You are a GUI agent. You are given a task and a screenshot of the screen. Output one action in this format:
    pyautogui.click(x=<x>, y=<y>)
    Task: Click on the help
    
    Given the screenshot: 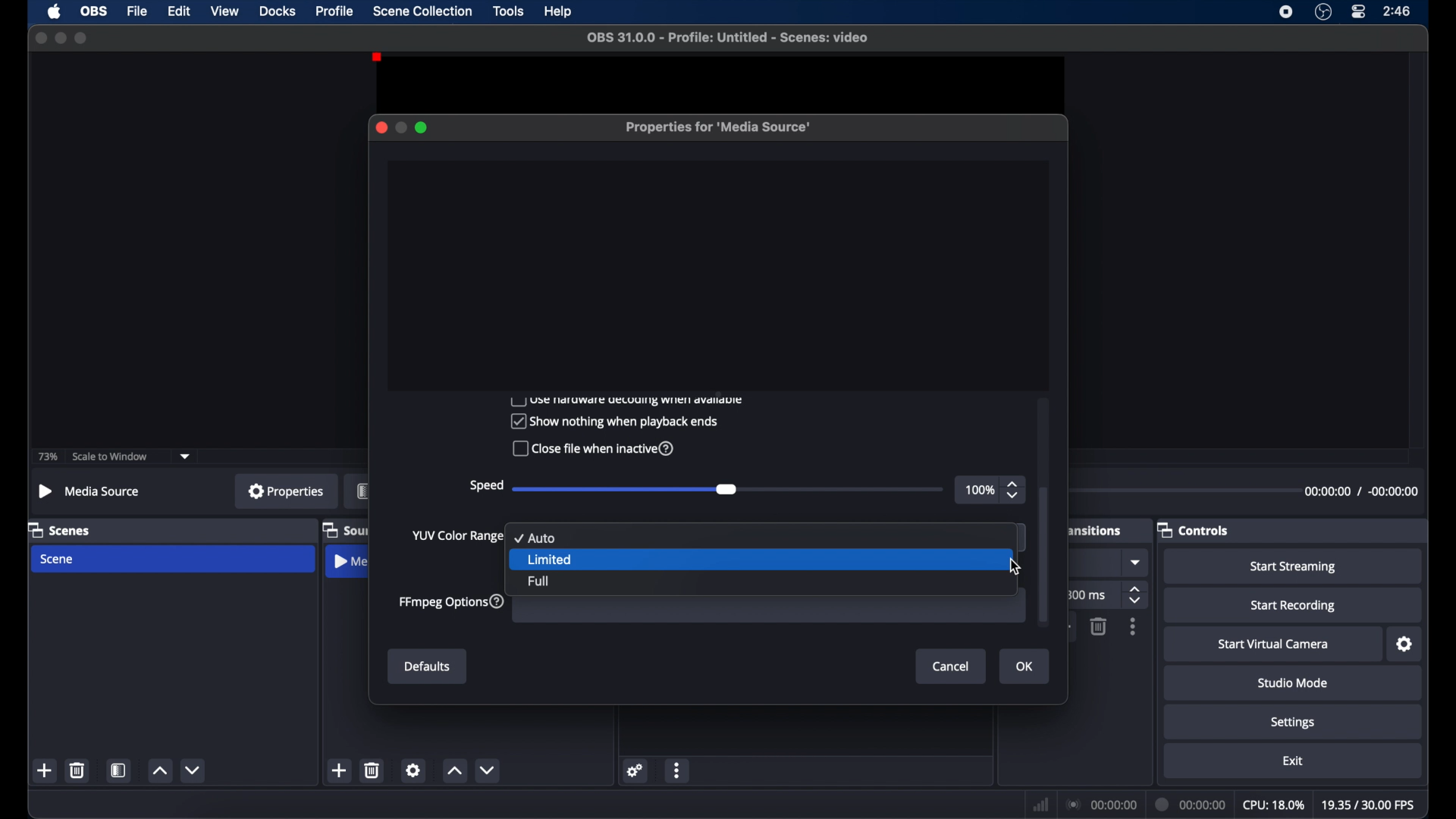 What is the action you would take?
    pyautogui.click(x=559, y=12)
    